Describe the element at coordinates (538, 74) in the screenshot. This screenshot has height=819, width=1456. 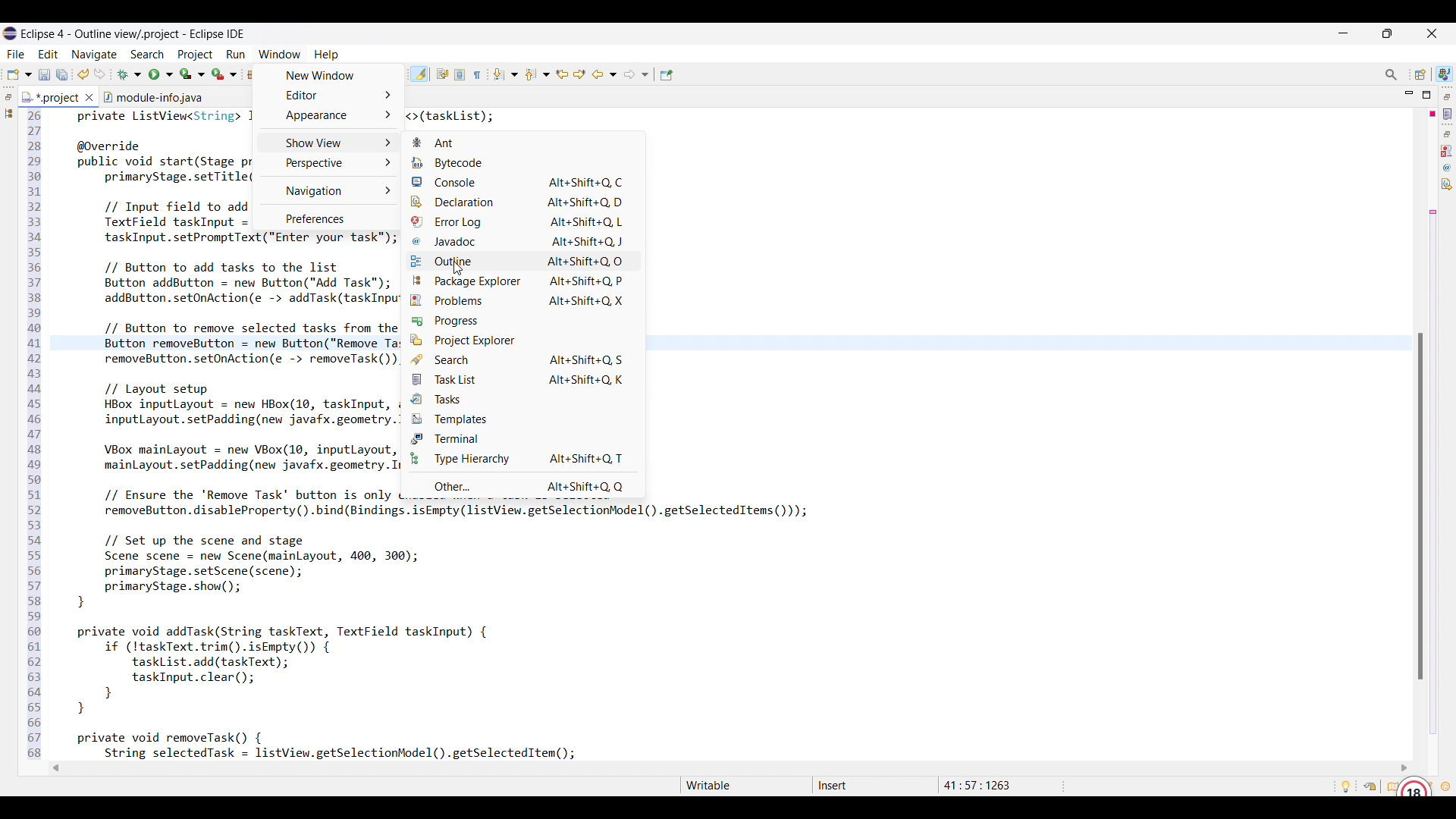
I see `Previous annotation` at that location.